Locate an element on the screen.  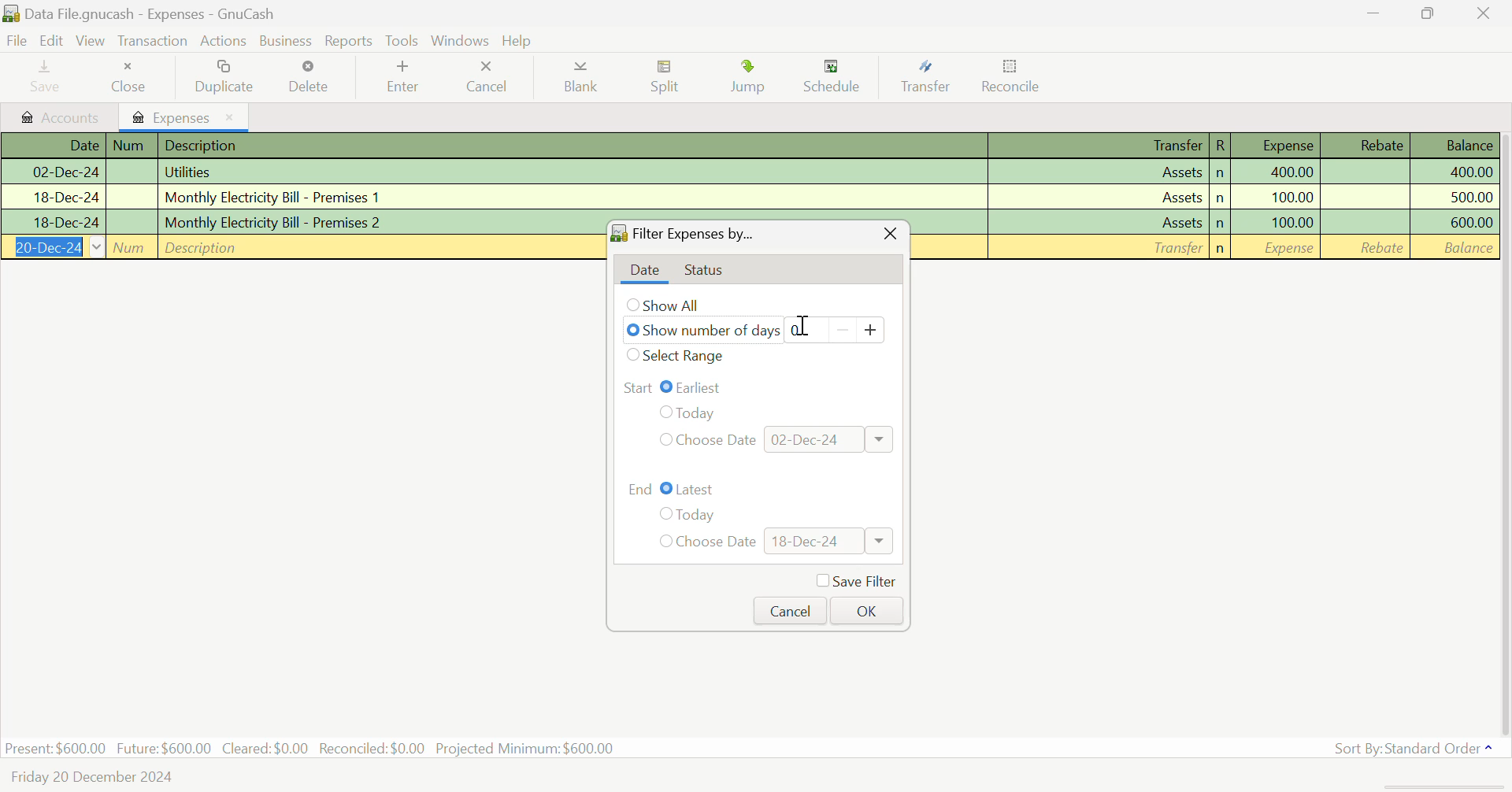
Rebate is located at coordinates (1365, 173).